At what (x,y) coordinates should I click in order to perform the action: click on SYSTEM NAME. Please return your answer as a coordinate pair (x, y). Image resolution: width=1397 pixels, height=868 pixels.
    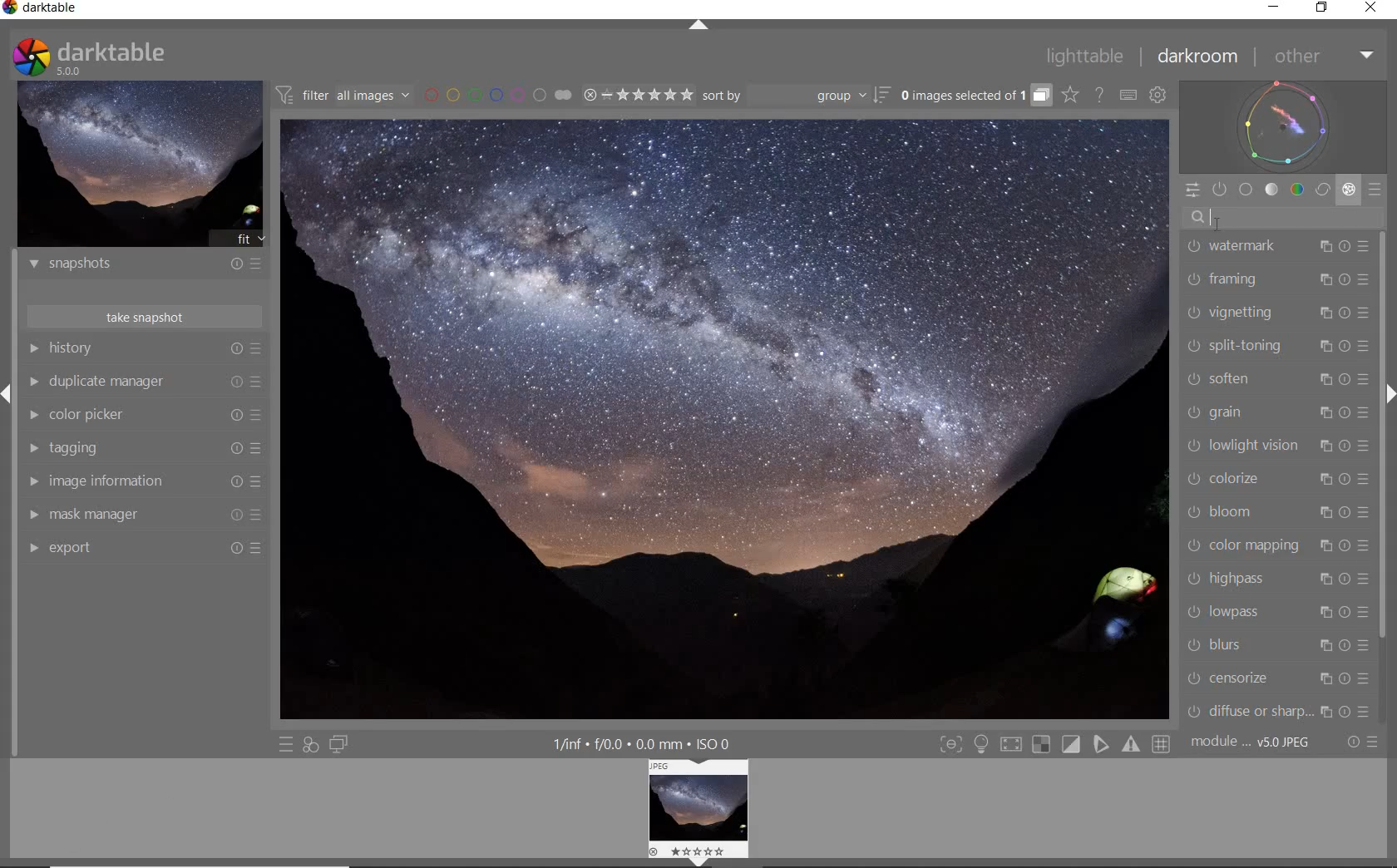
    Looking at the image, I should click on (62, 8).